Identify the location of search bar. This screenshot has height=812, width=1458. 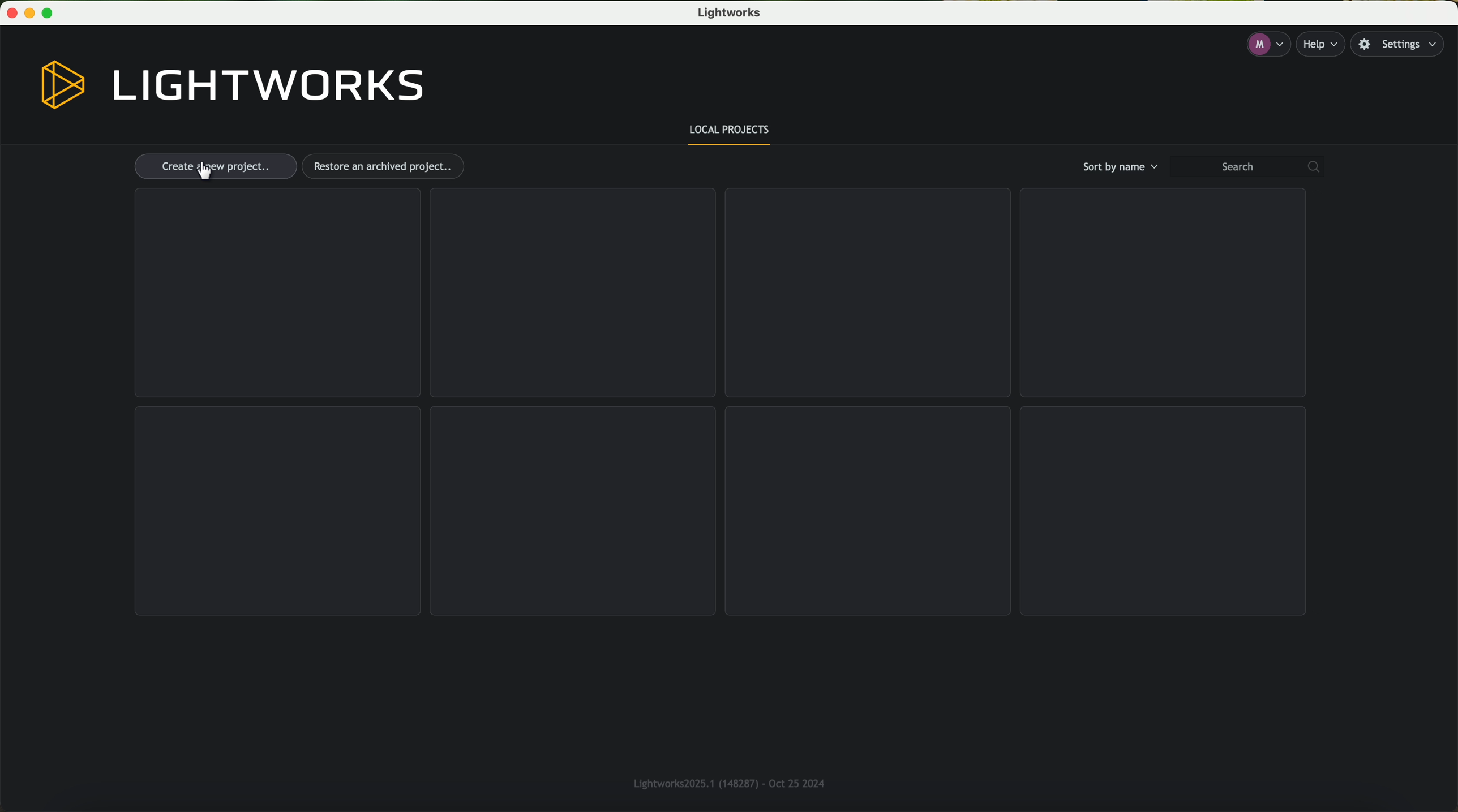
(1252, 167).